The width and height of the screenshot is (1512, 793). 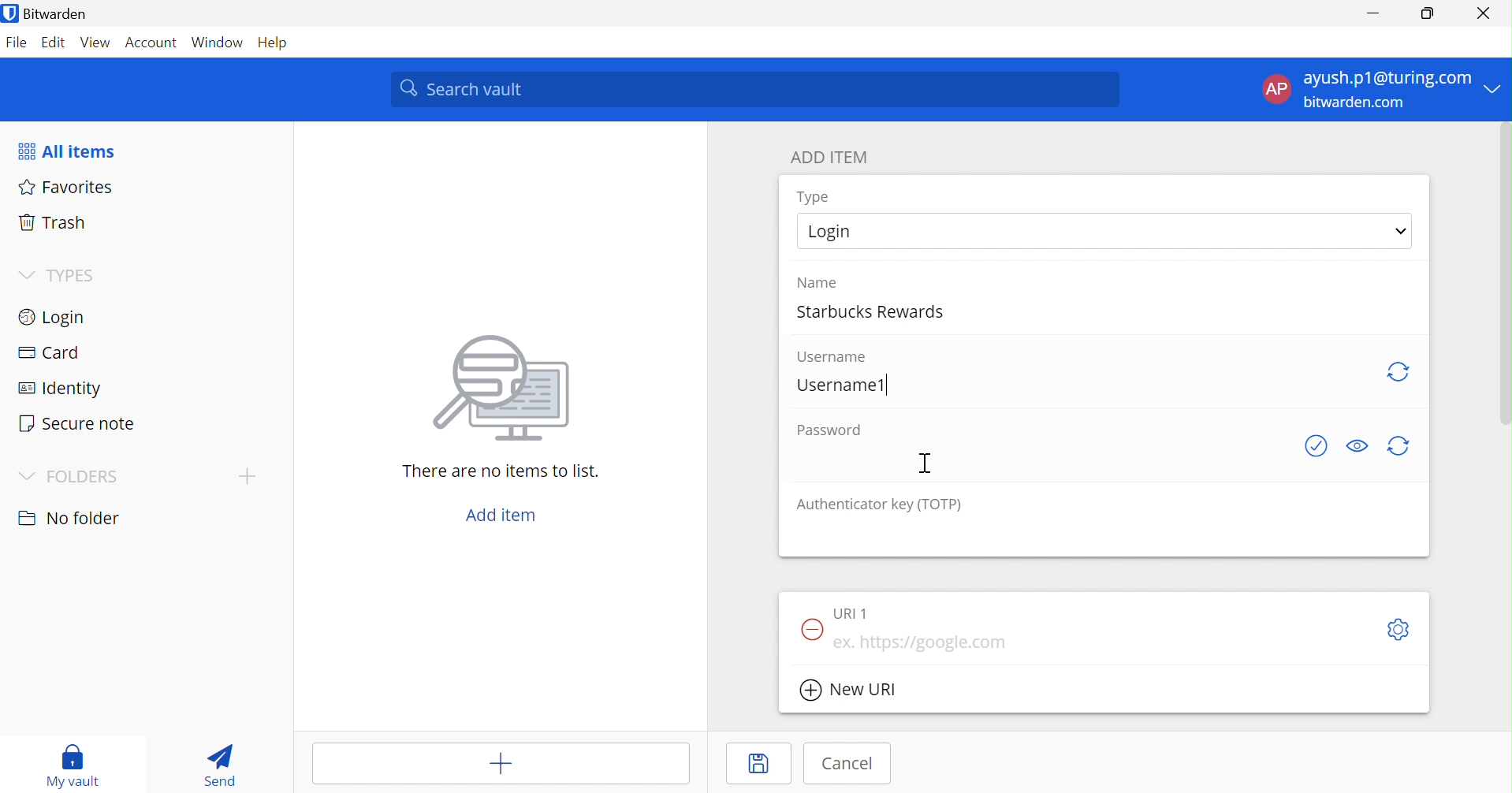 What do you see at coordinates (1399, 629) in the screenshot?
I see `Settings` at bounding box center [1399, 629].